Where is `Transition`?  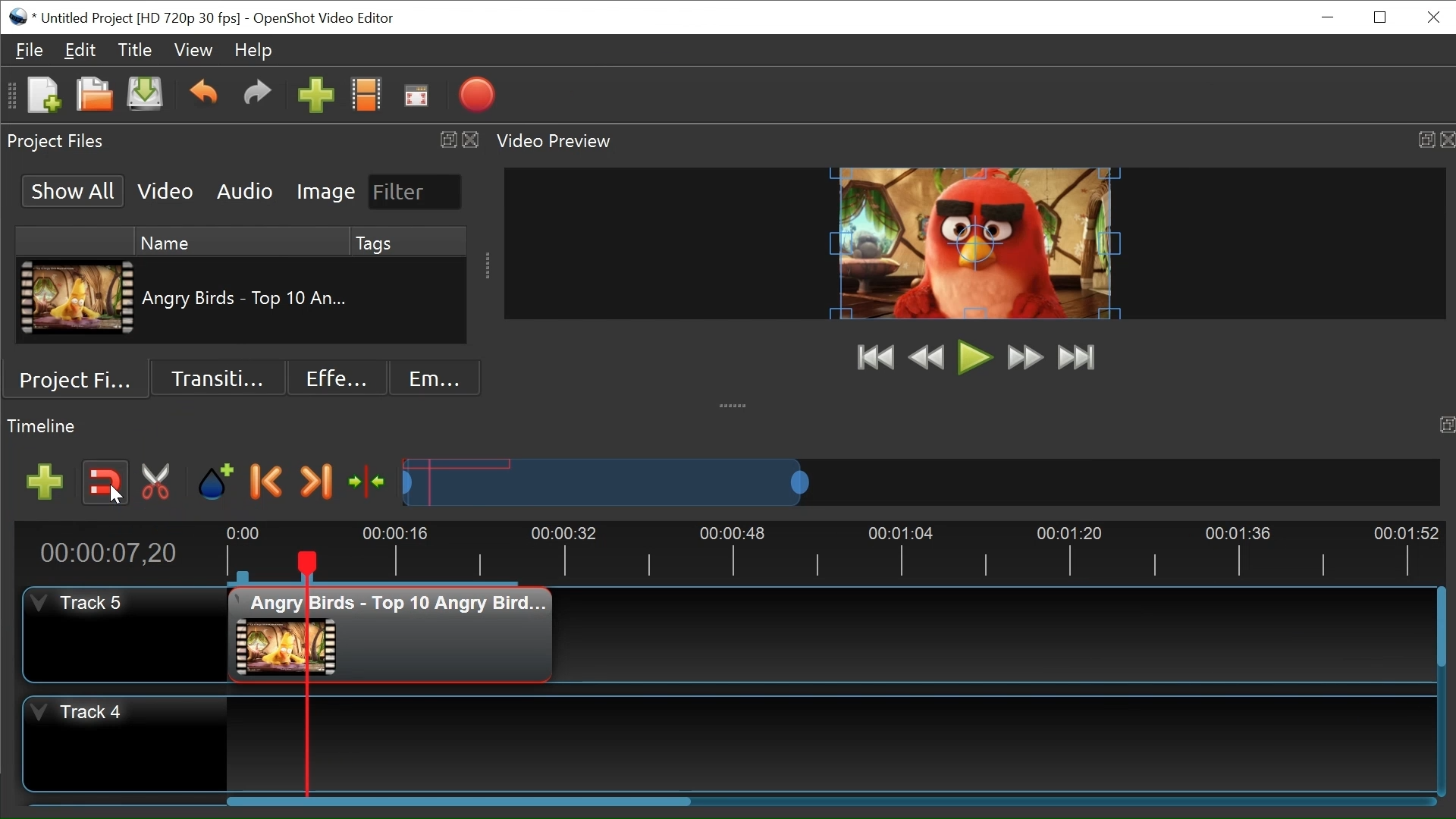
Transition is located at coordinates (218, 376).